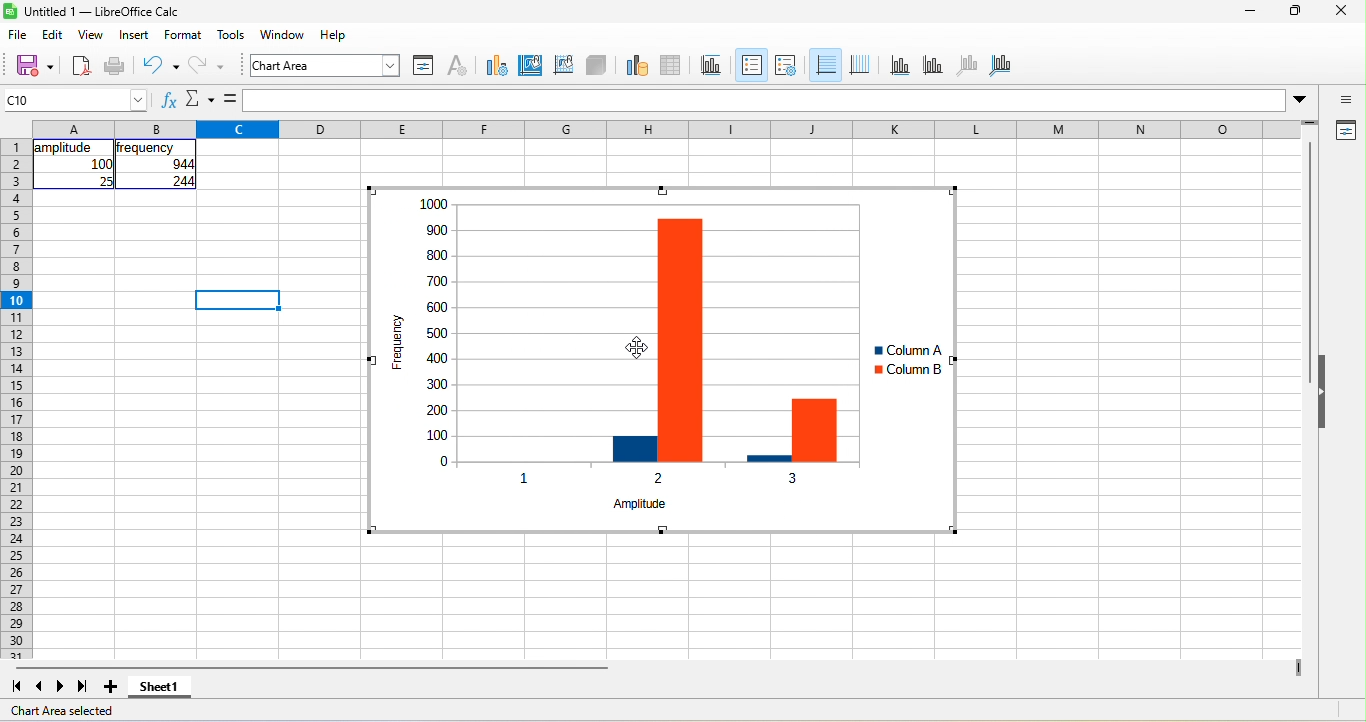 The image size is (1366, 722). What do you see at coordinates (16, 687) in the screenshot?
I see `first sheet` at bounding box center [16, 687].